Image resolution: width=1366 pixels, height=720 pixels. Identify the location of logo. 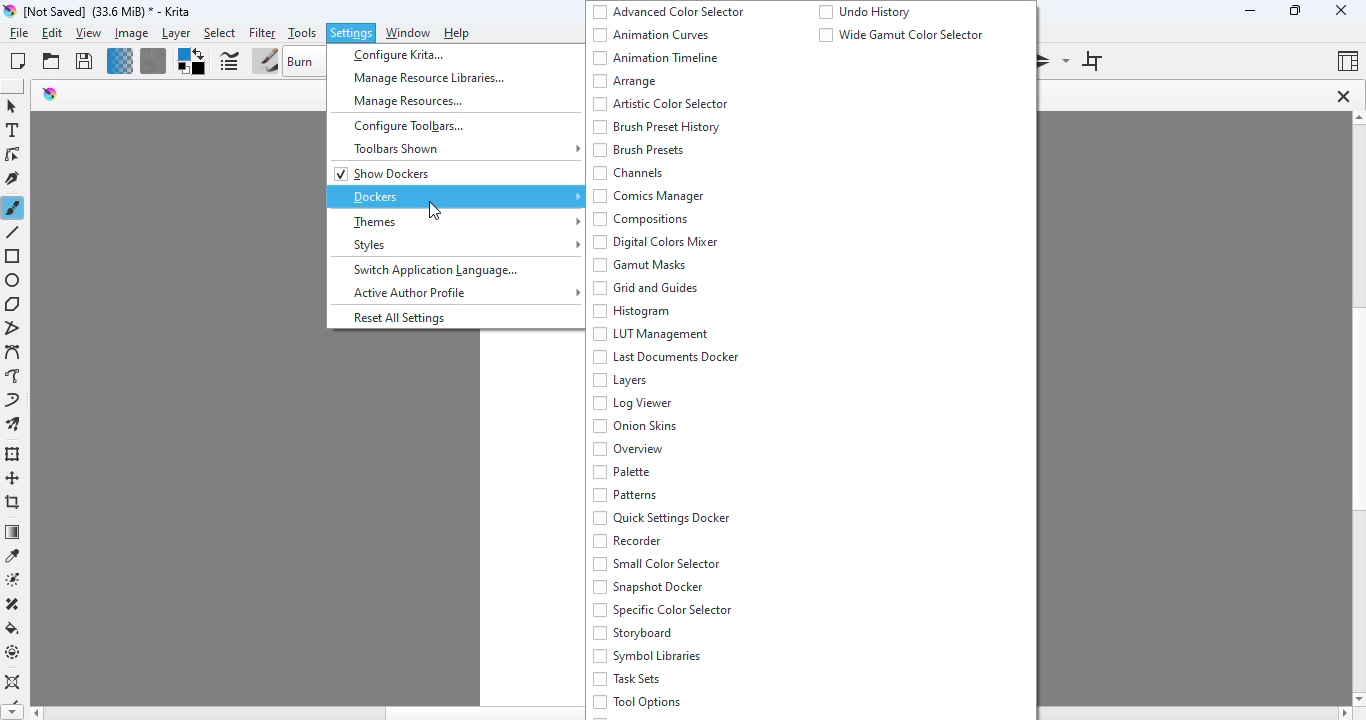
(9, 11).